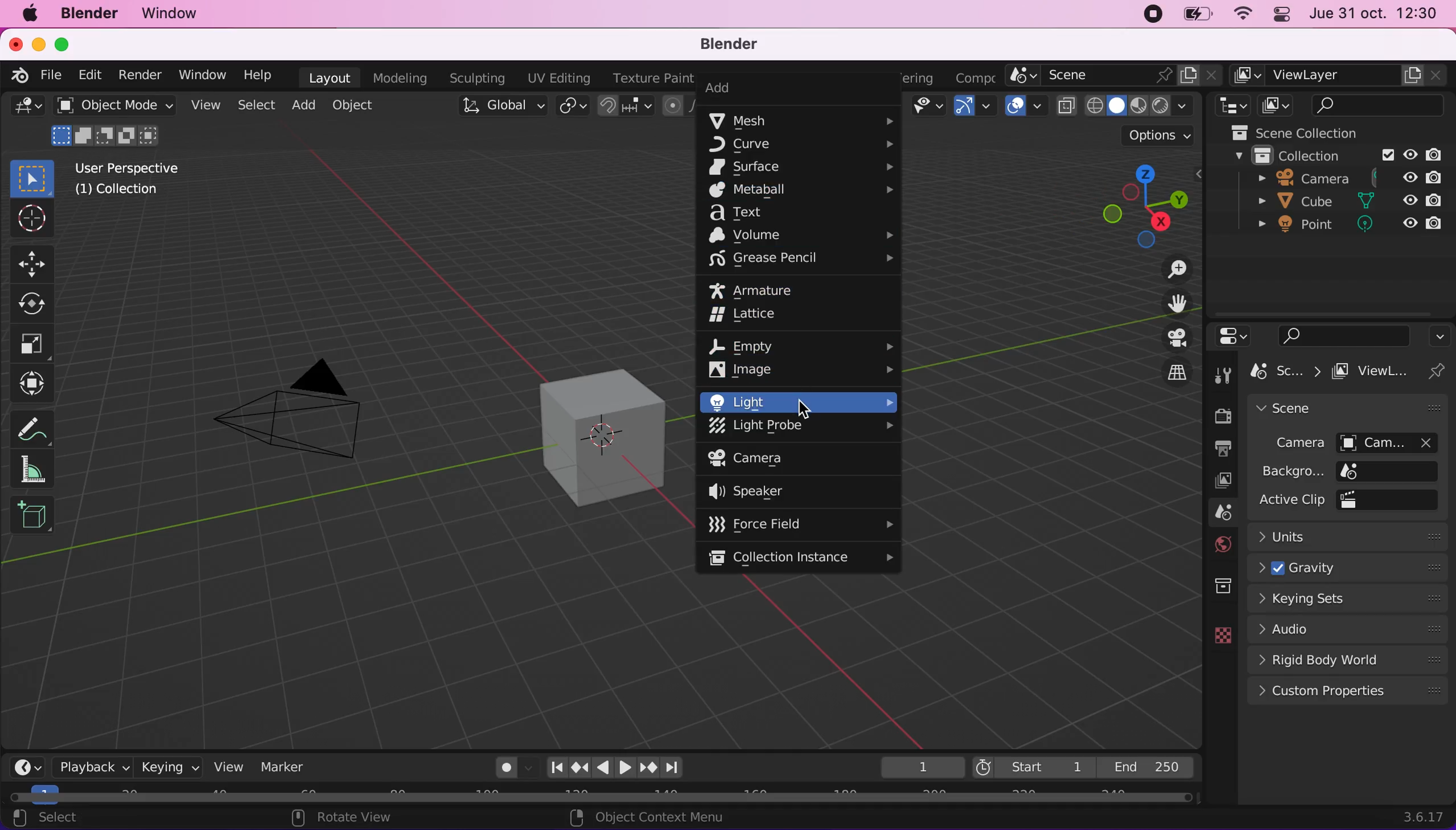  What do you see at coordinates (675, 766) in the screenshot?
I see `Jump to endpoint` at bounding box center [675, 766].